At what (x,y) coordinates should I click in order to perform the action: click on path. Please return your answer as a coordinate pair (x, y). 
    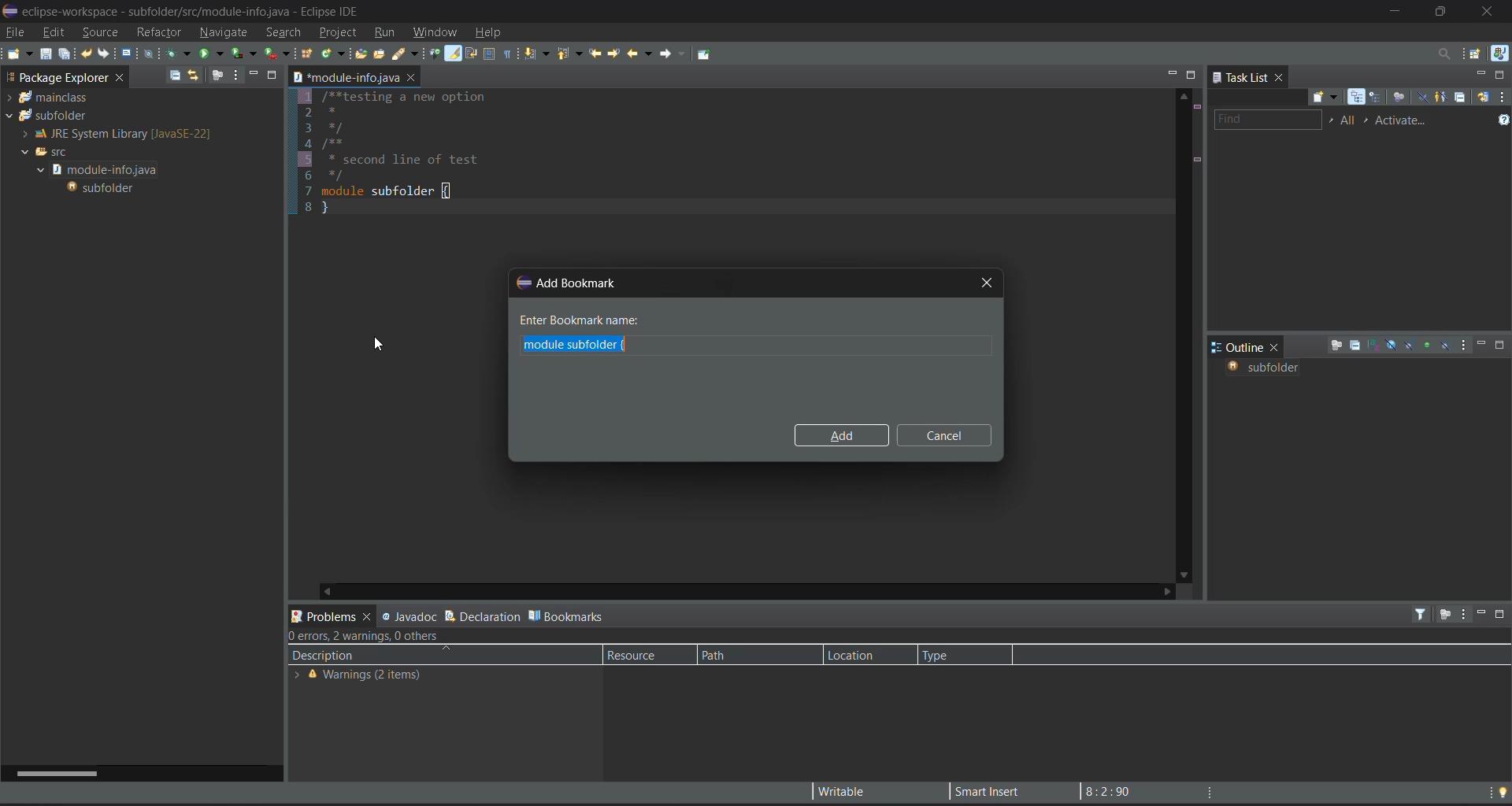
    Looking at the image, I should click on (736, 655).